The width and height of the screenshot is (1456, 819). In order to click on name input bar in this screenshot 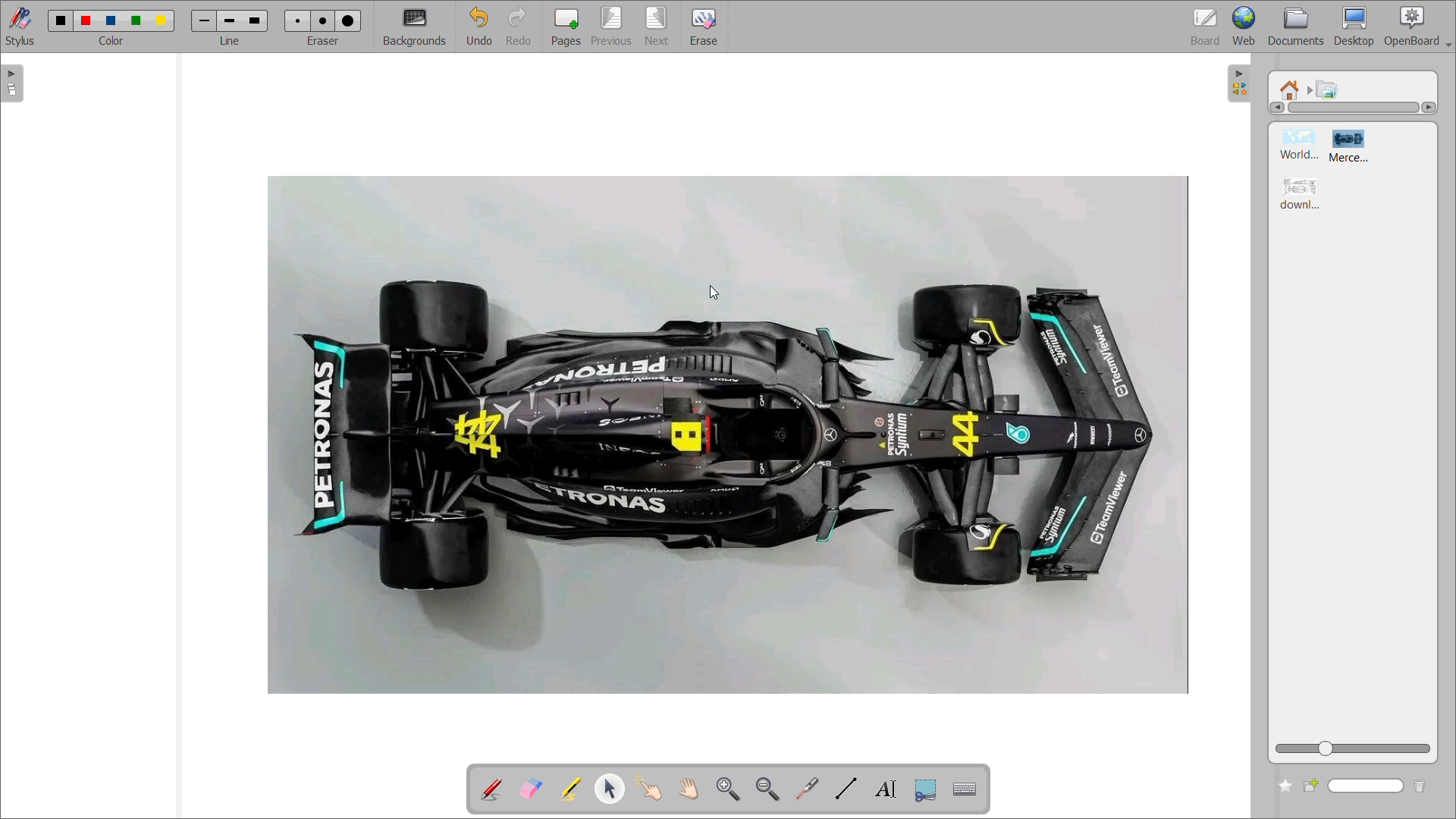, I will do `click(1365, 786)`.